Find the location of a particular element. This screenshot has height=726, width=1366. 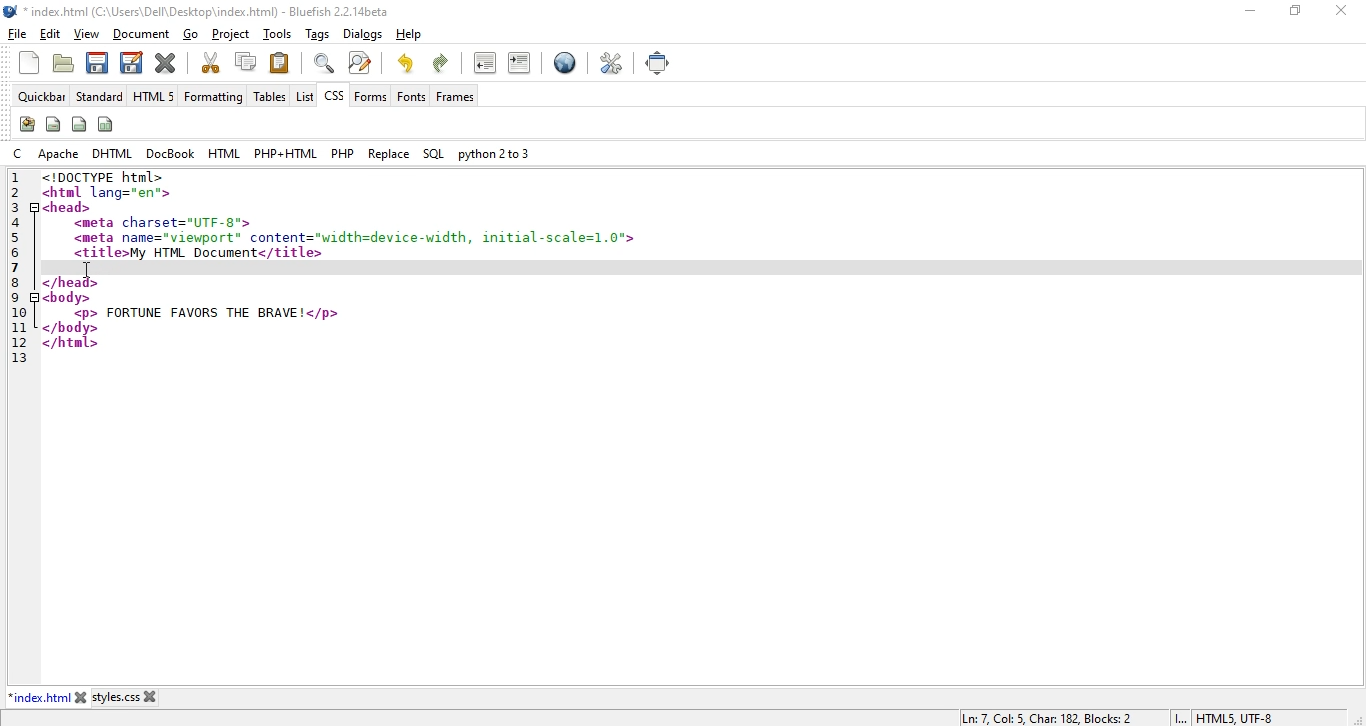

12 is located at coordinates (15, 341).